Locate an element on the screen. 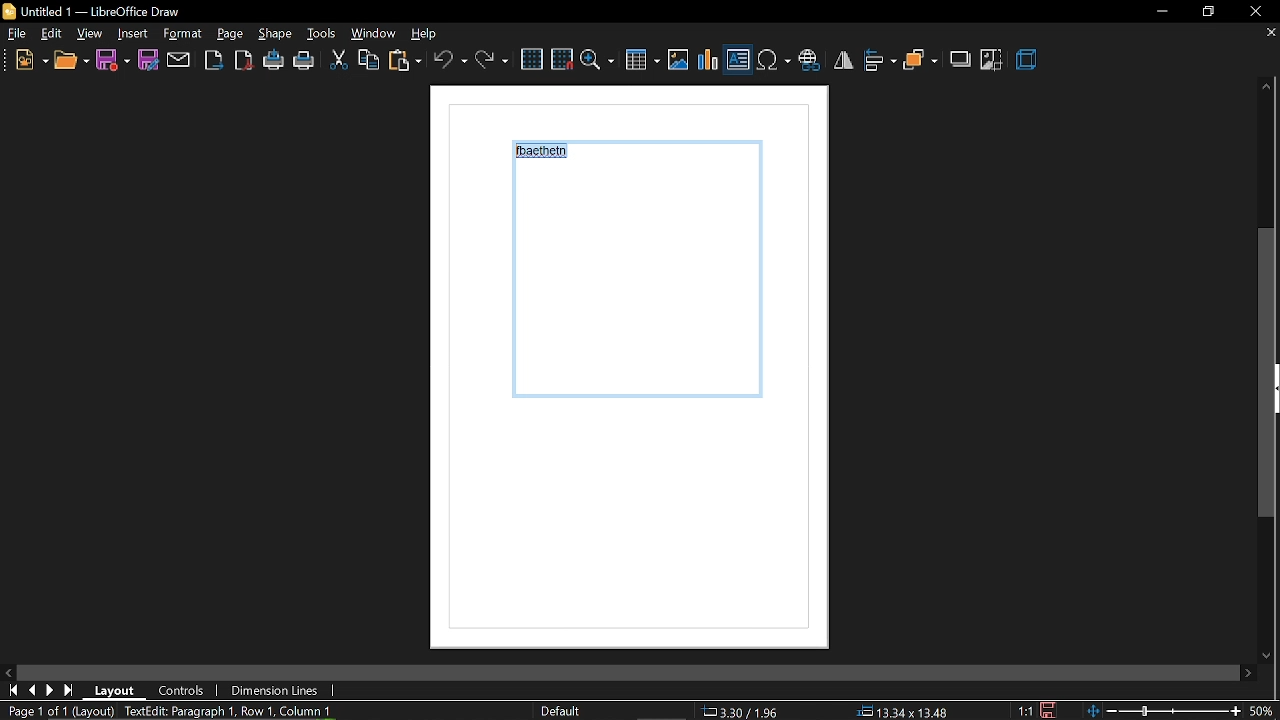 This screenshot has height=720, width=1280. shadow is located at coordinates (961, 60).